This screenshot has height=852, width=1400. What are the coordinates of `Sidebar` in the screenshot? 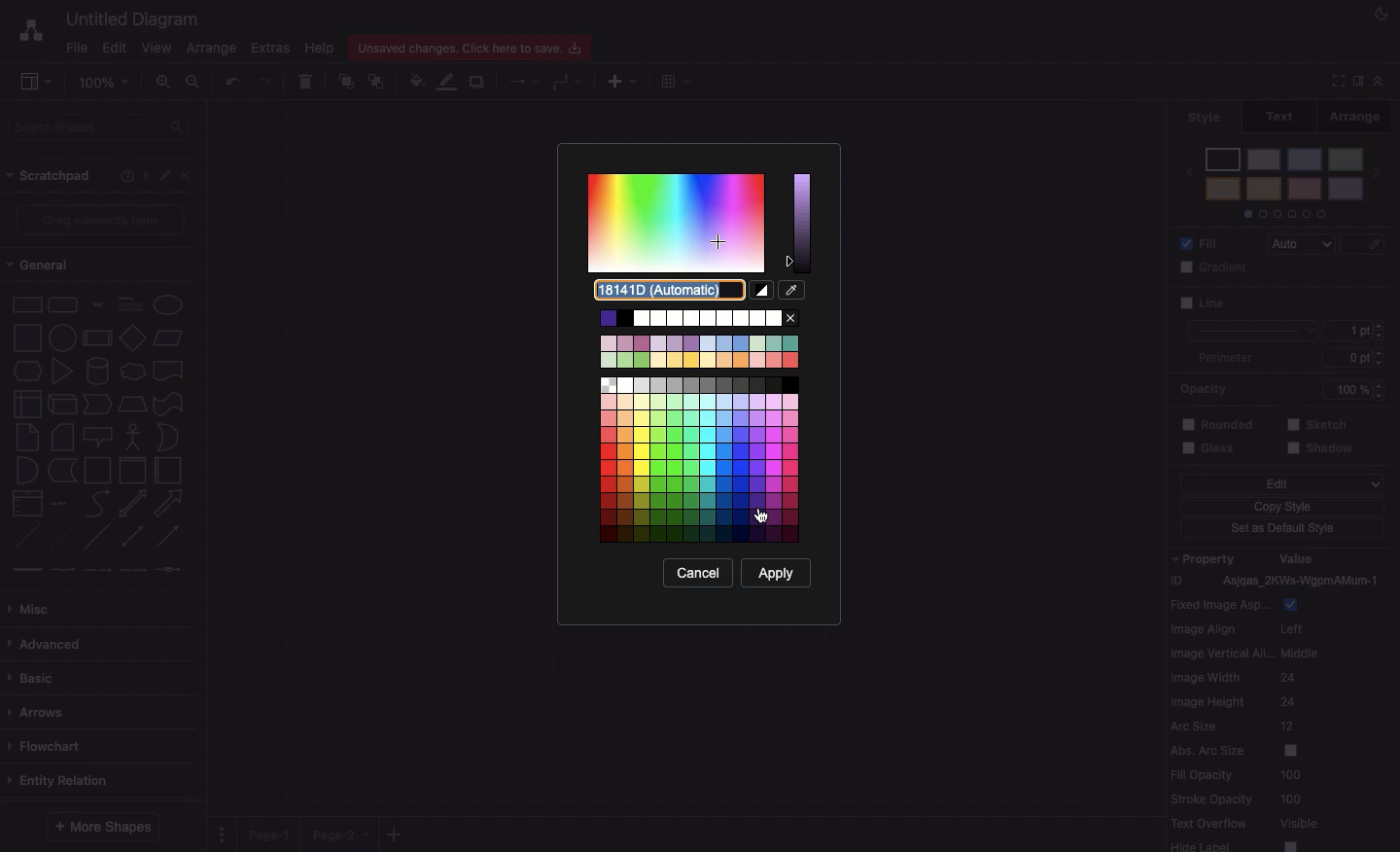 It's located at (1356, 80).